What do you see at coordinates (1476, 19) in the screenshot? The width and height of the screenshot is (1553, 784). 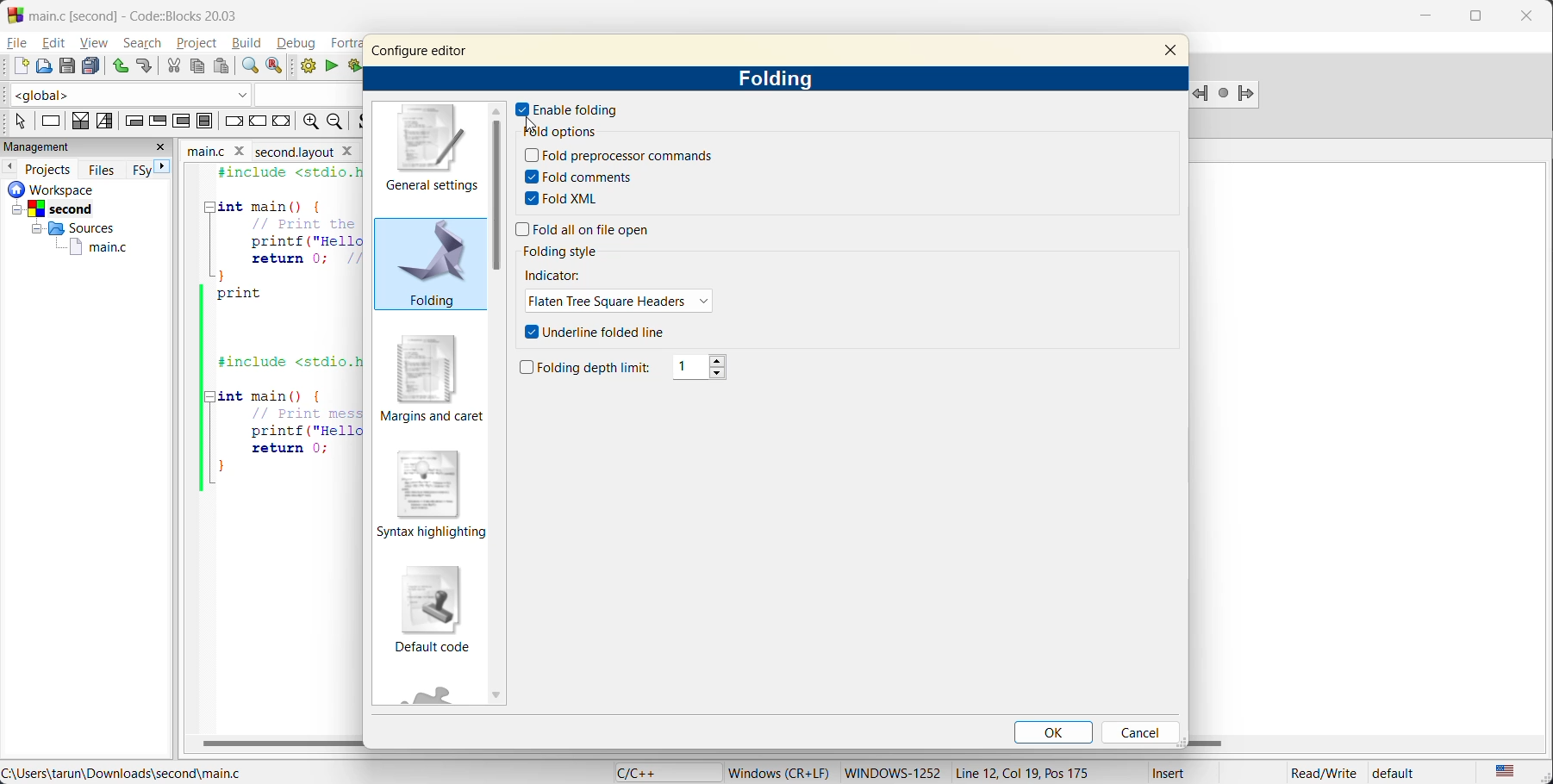 I see `maximize` at bounding box center [1476, 19].